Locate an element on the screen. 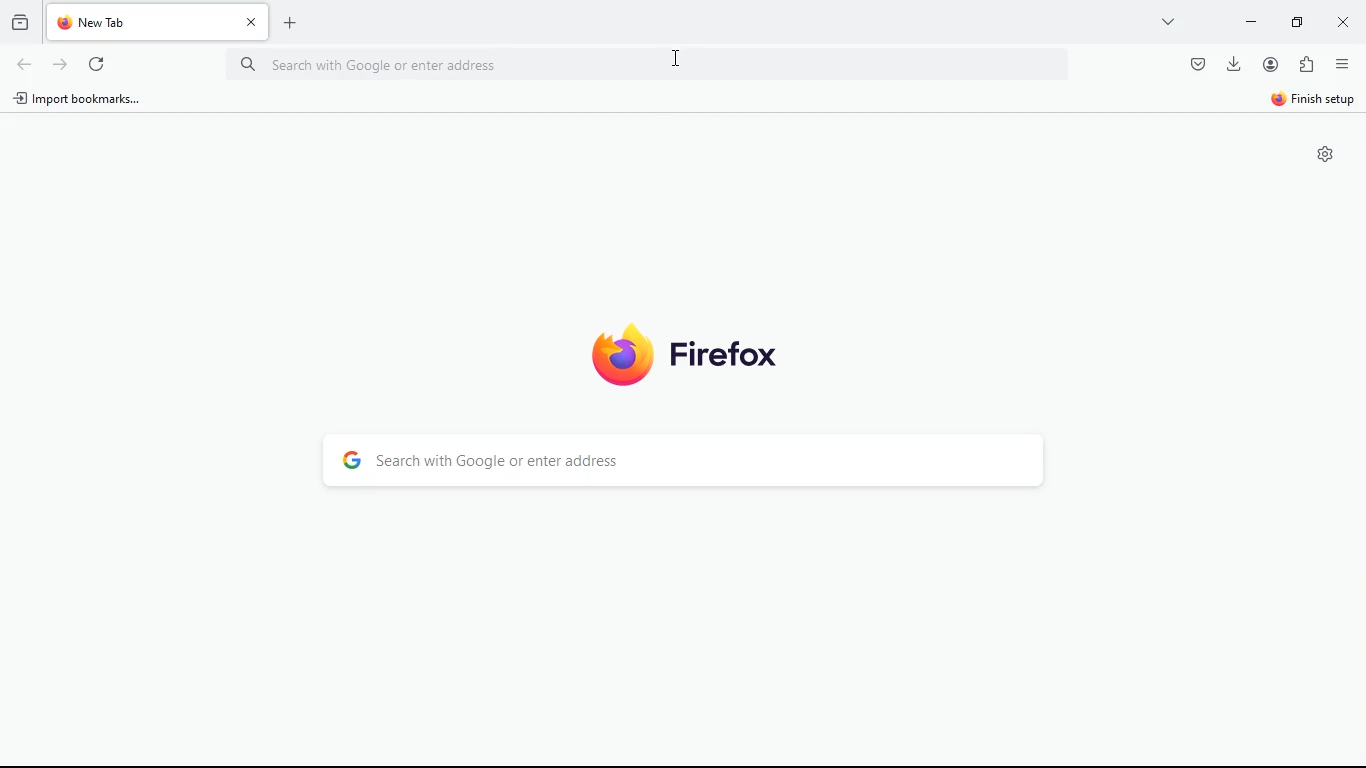  refresh is located at coordinates (100, 64).